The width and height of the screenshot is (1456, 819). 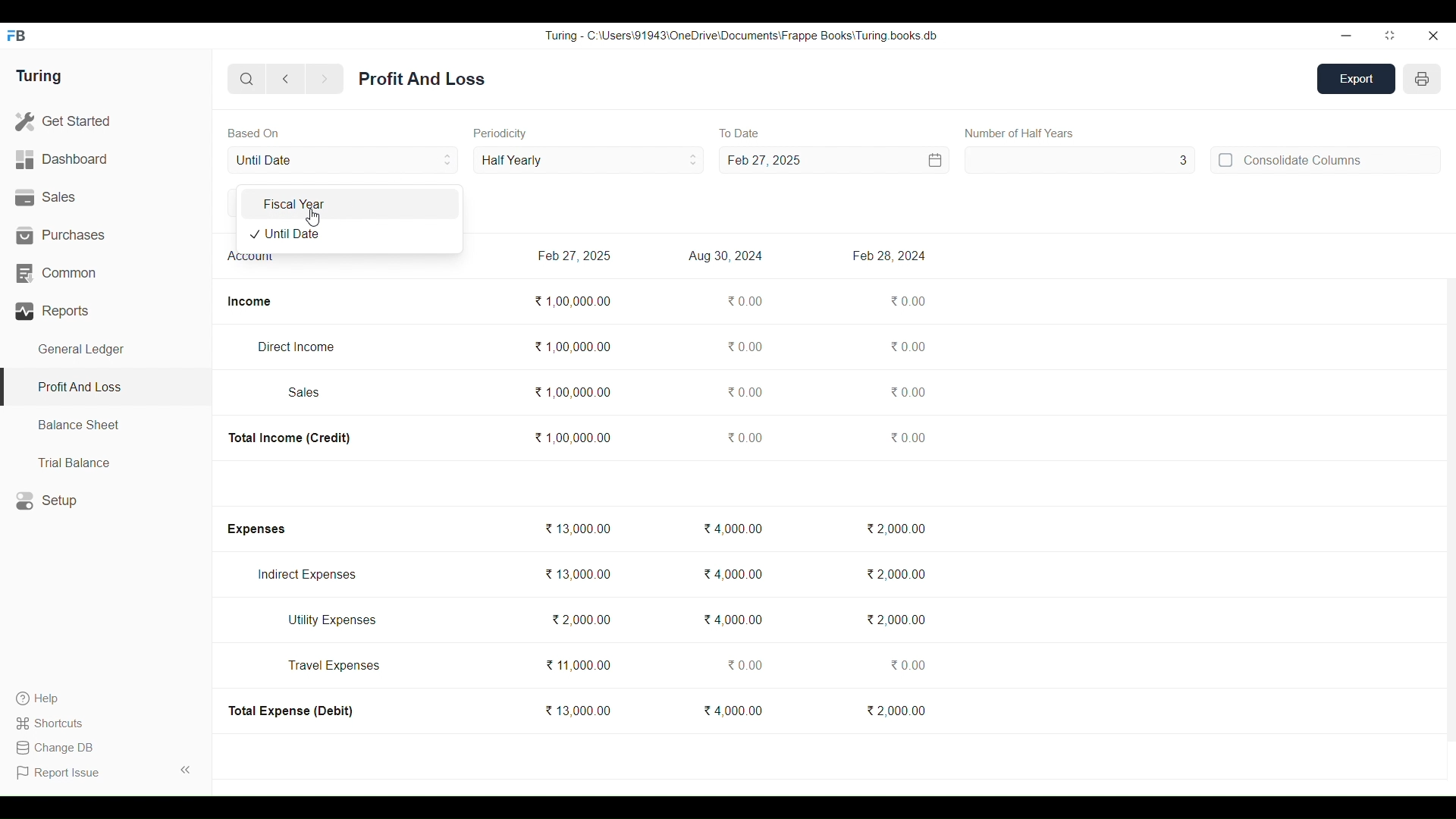 I want to click on Change DB, so click(x=54, y=748).